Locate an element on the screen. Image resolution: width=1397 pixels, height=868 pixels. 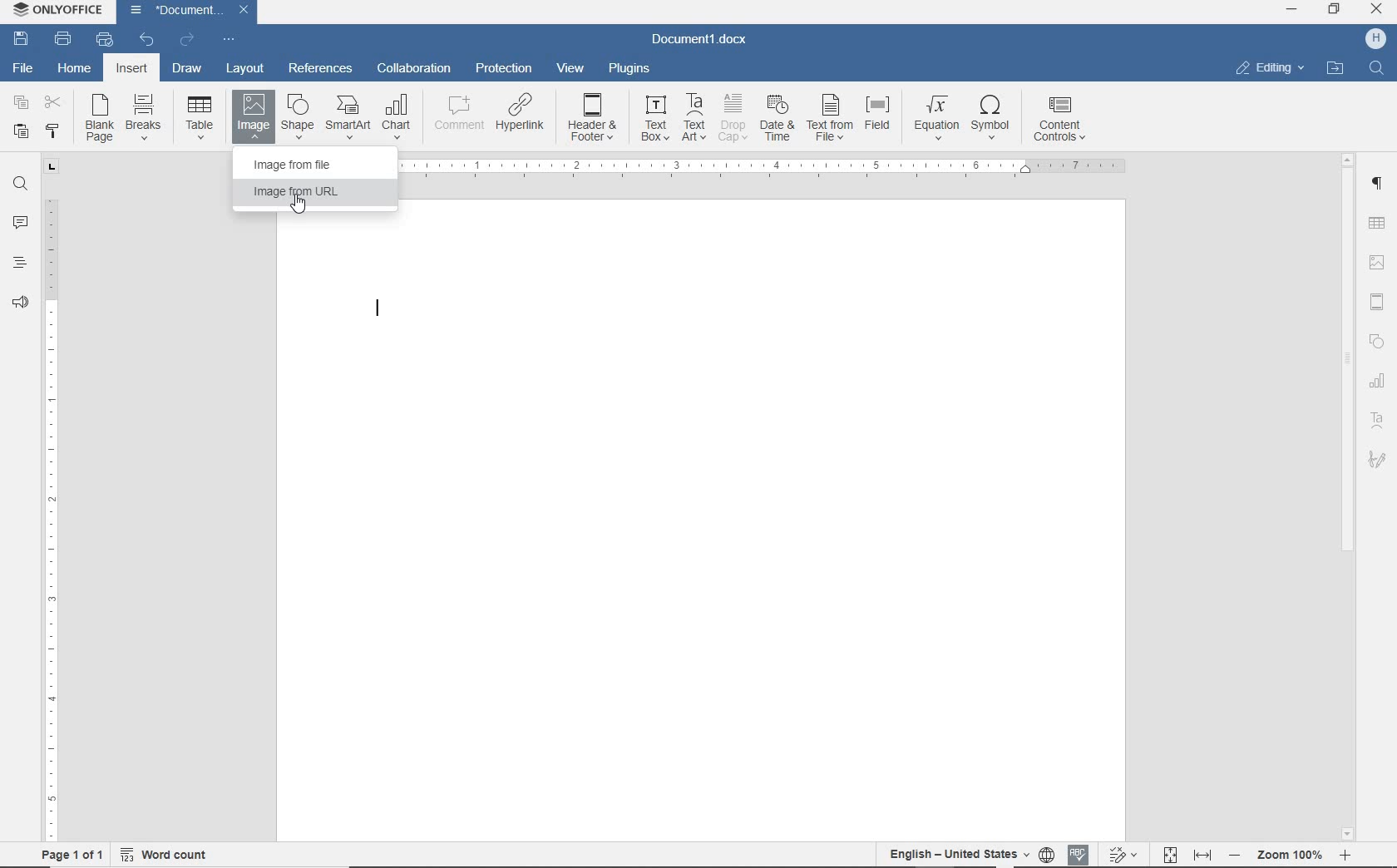
image is located at coordinates (254, 116).